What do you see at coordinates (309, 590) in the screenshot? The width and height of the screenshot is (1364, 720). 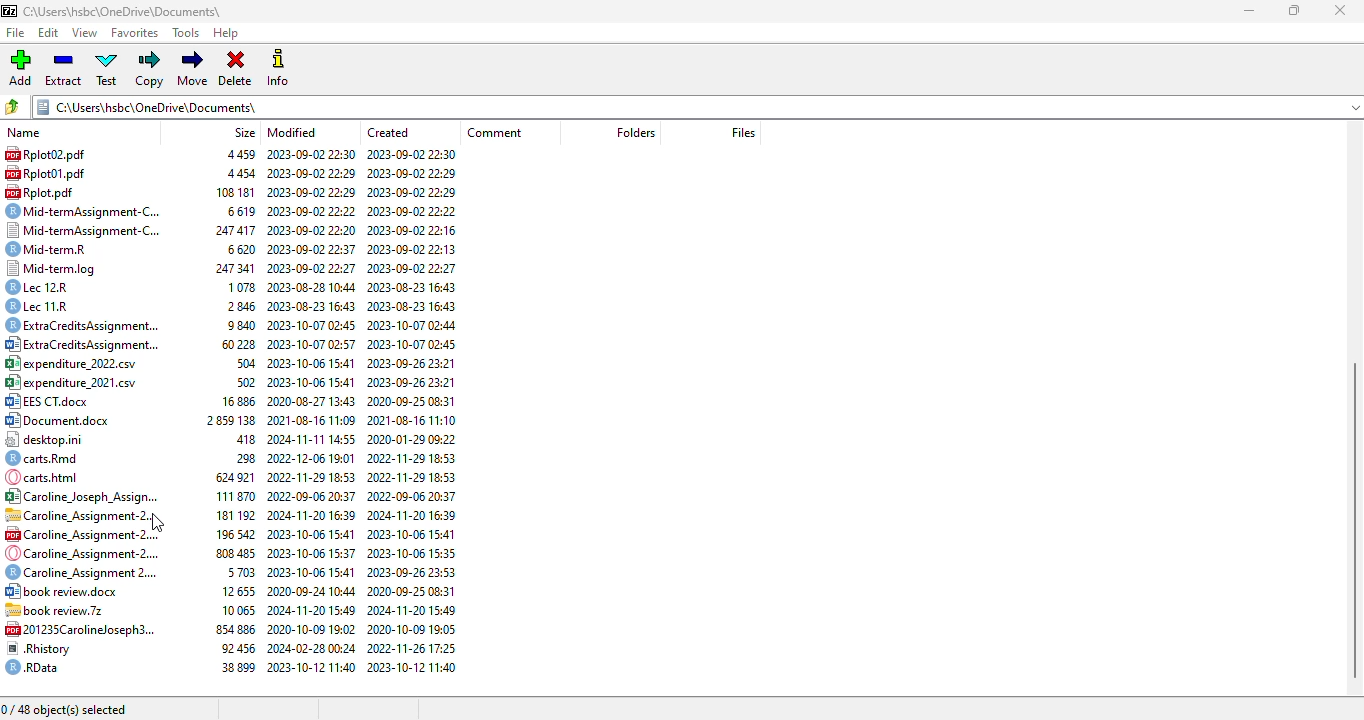 I see `2020-09-24 10:44` at bounding box center [309, 590].